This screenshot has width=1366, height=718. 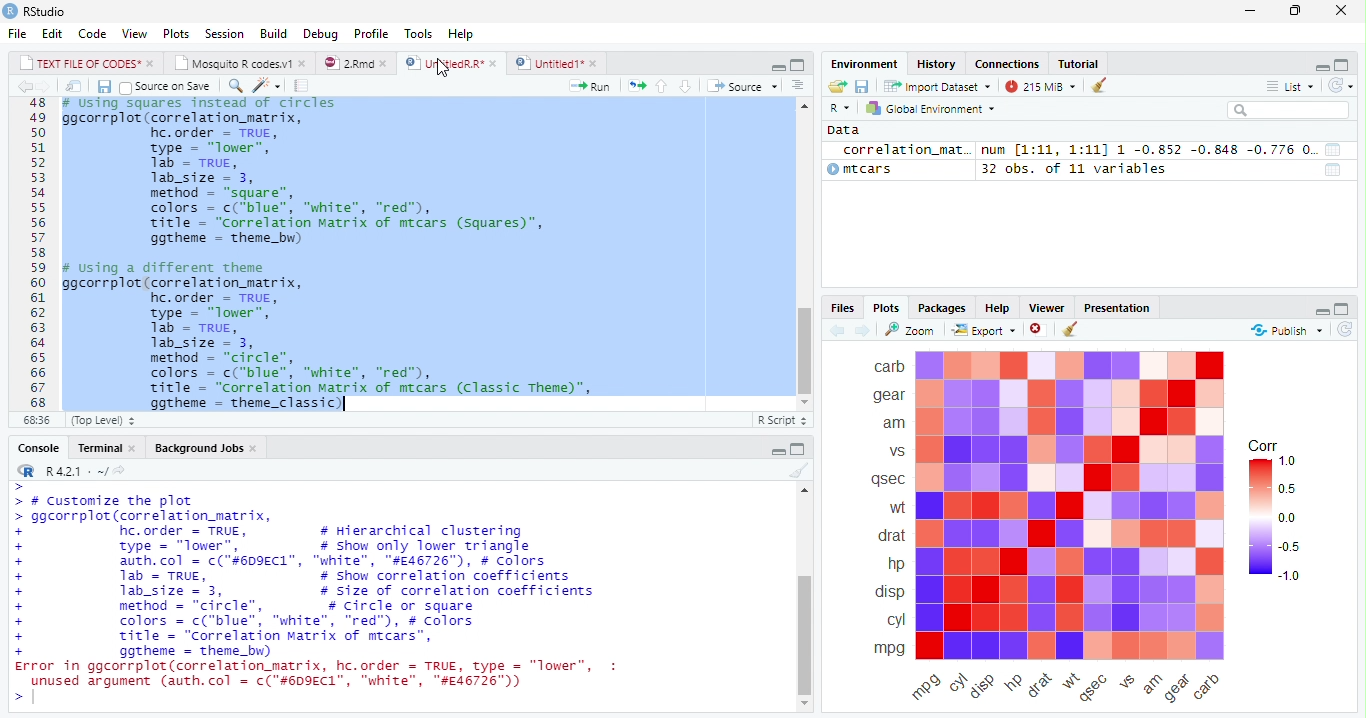 What do you see at coordinates (843, 128) in the screenshot?
I see `Data` at bounding box center [843, 128].